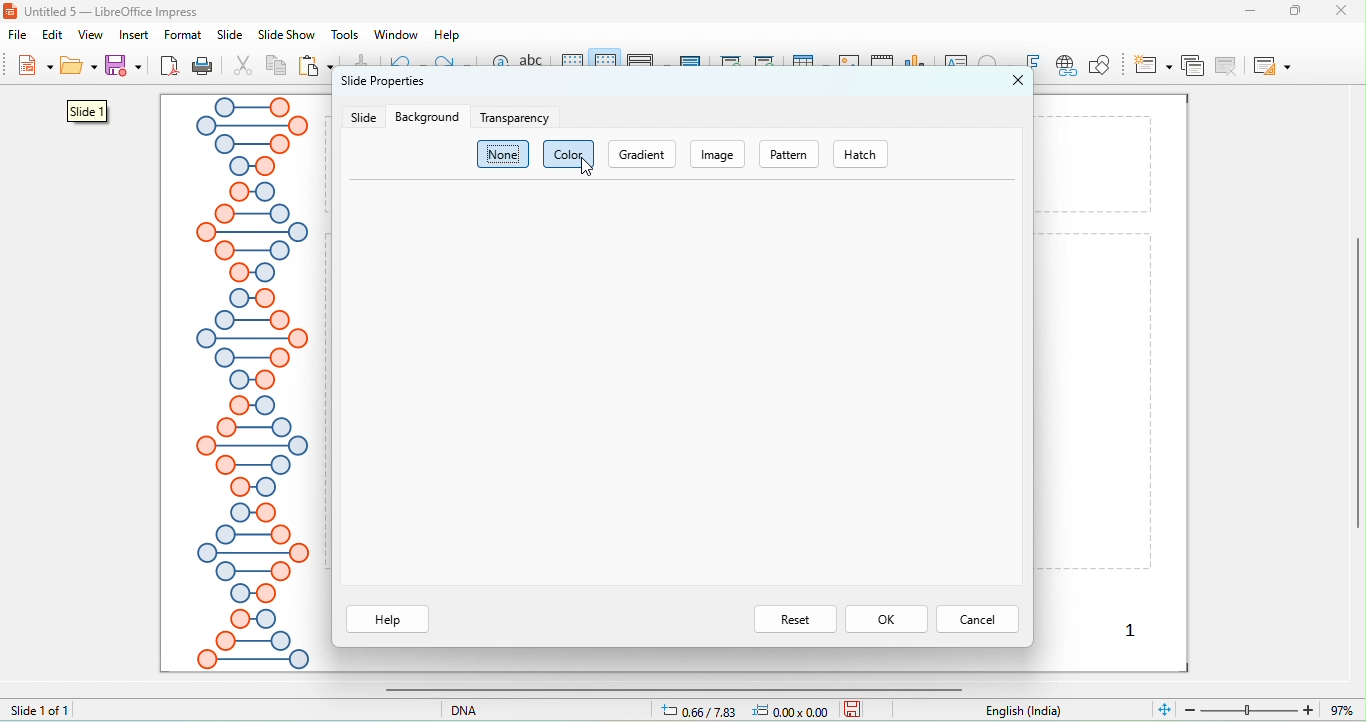 The height and width of the screenshot is (722, 1366). Describe the element at coordinates (202, 67) in the screenshot. I see `print` at that location.